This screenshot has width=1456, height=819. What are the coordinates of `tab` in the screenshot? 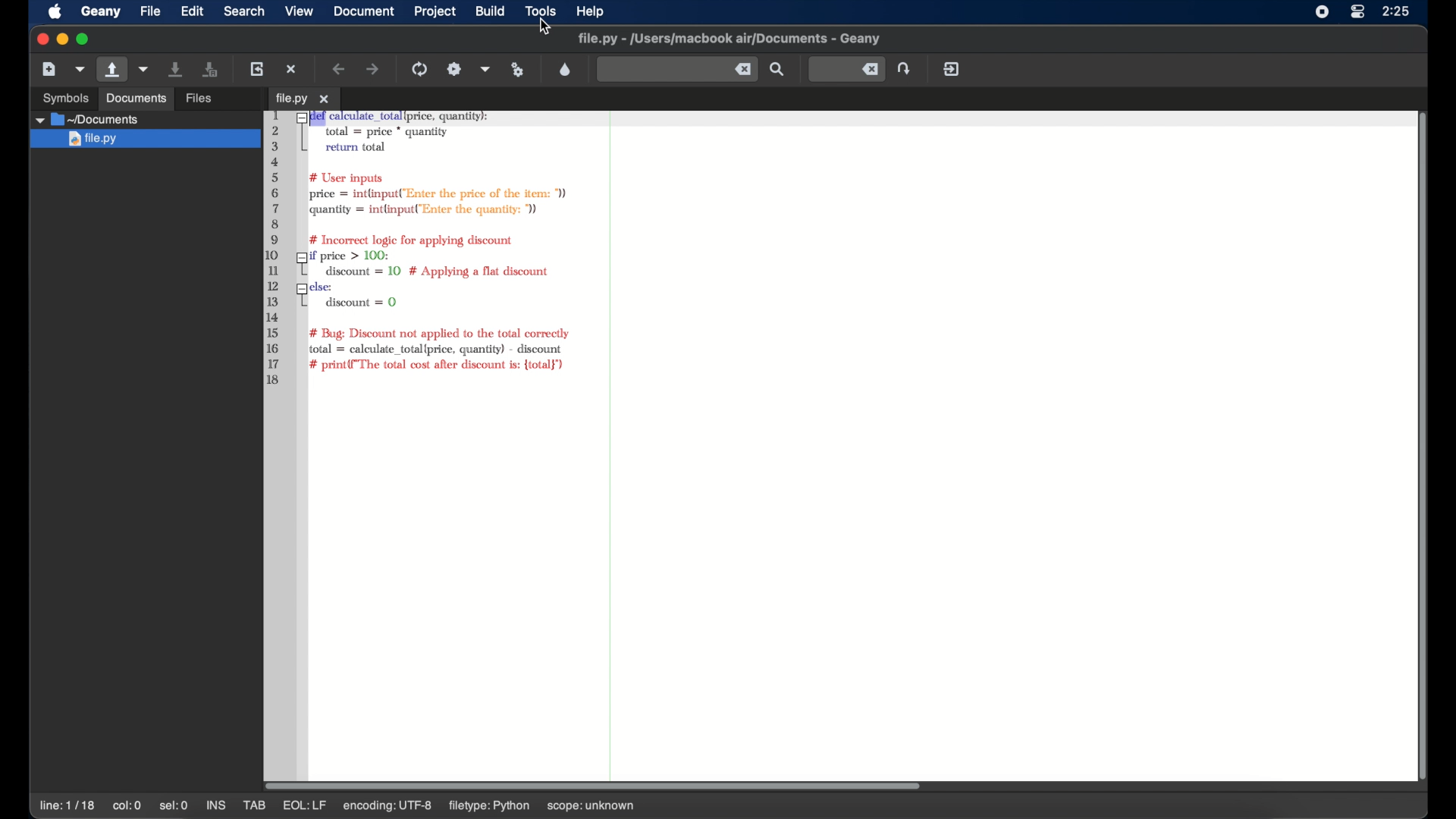 It's located at (303, 99).